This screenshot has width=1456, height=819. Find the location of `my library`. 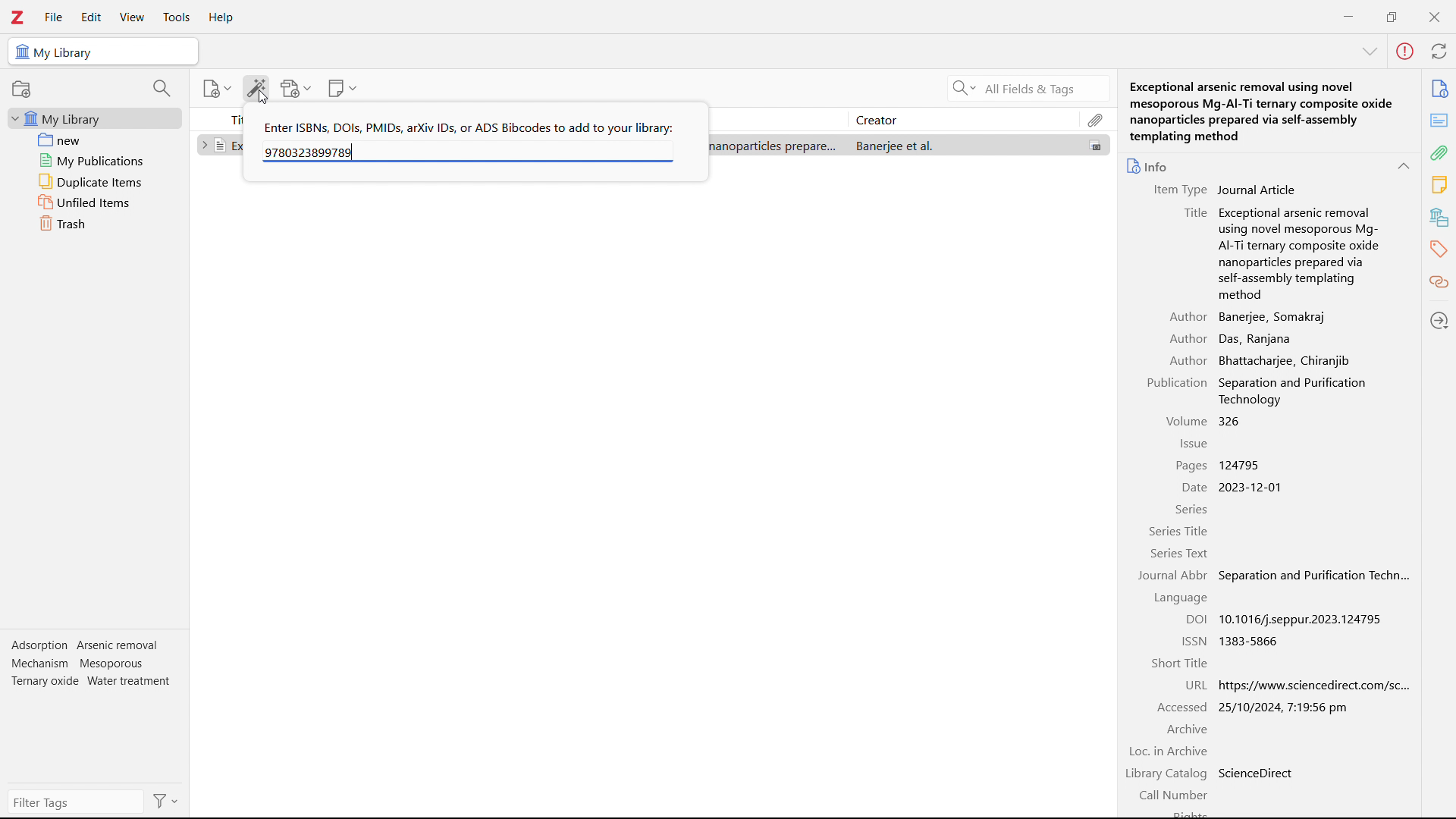

my library is located at coordinates (95, 118).